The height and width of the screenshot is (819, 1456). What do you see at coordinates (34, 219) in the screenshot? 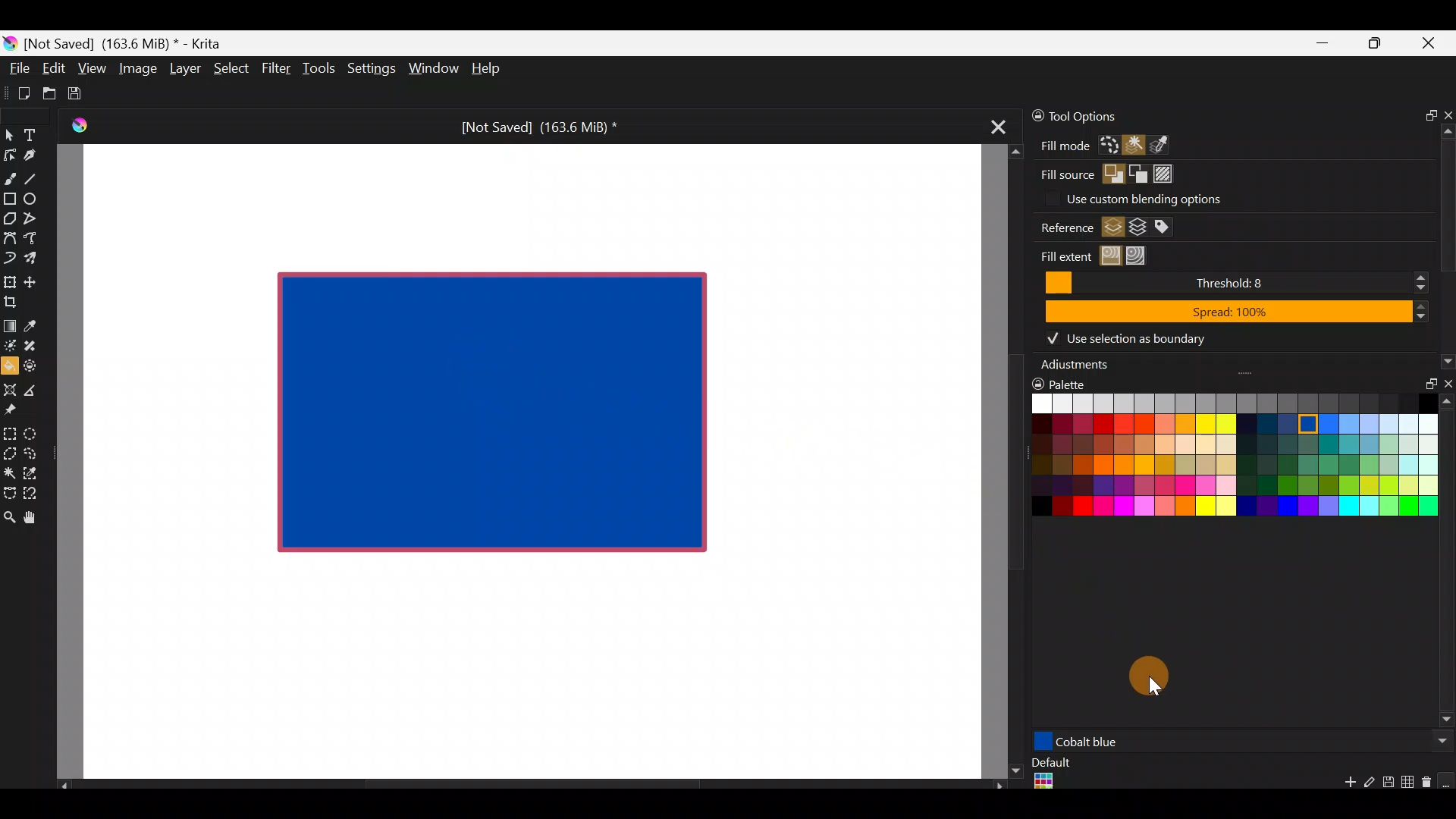
I see `Polyline tool` at bounding box center [34, 219].